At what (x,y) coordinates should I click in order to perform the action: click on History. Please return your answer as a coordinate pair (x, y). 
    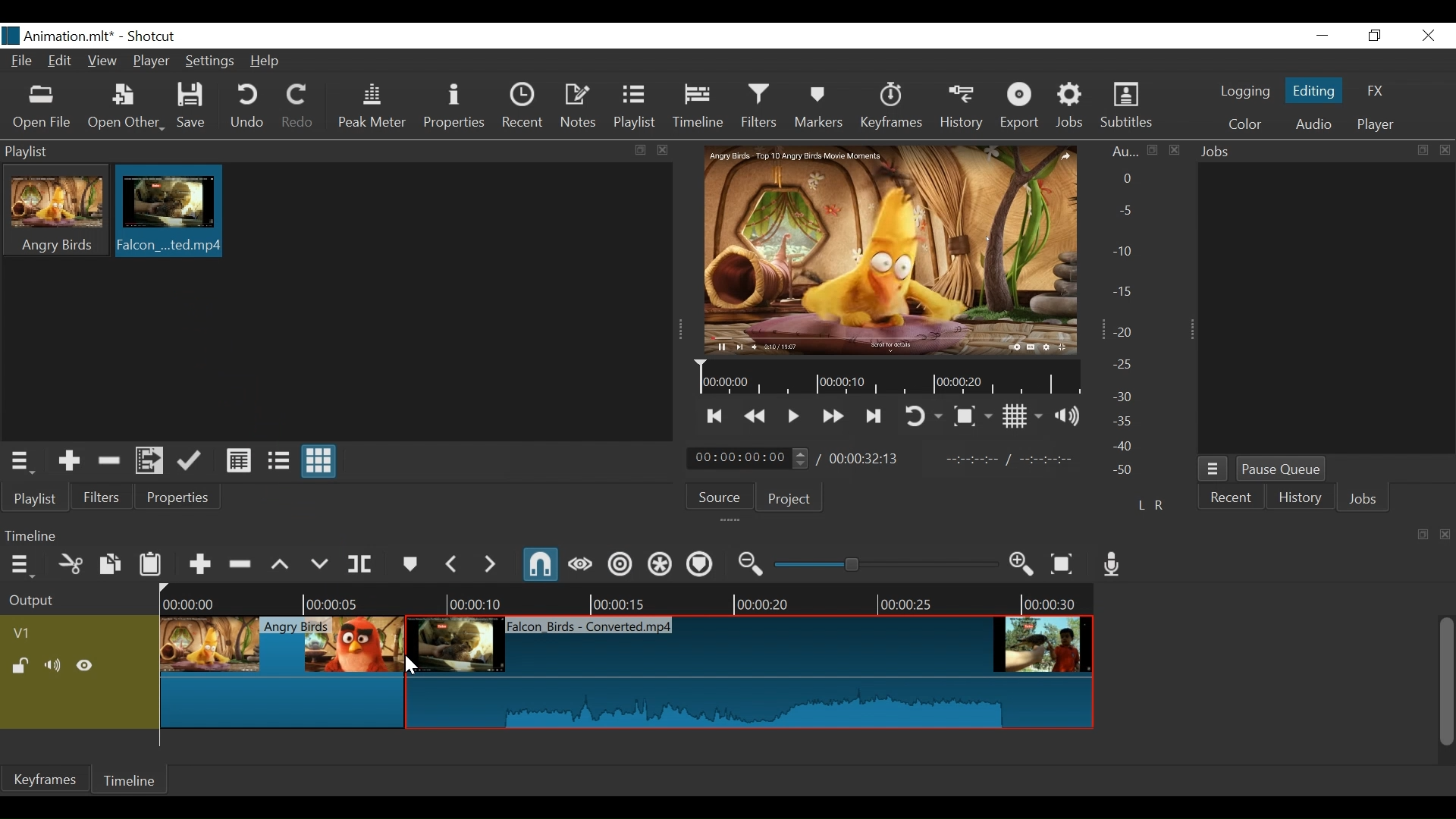
    Looking at the image, I should click on (1301, 499).